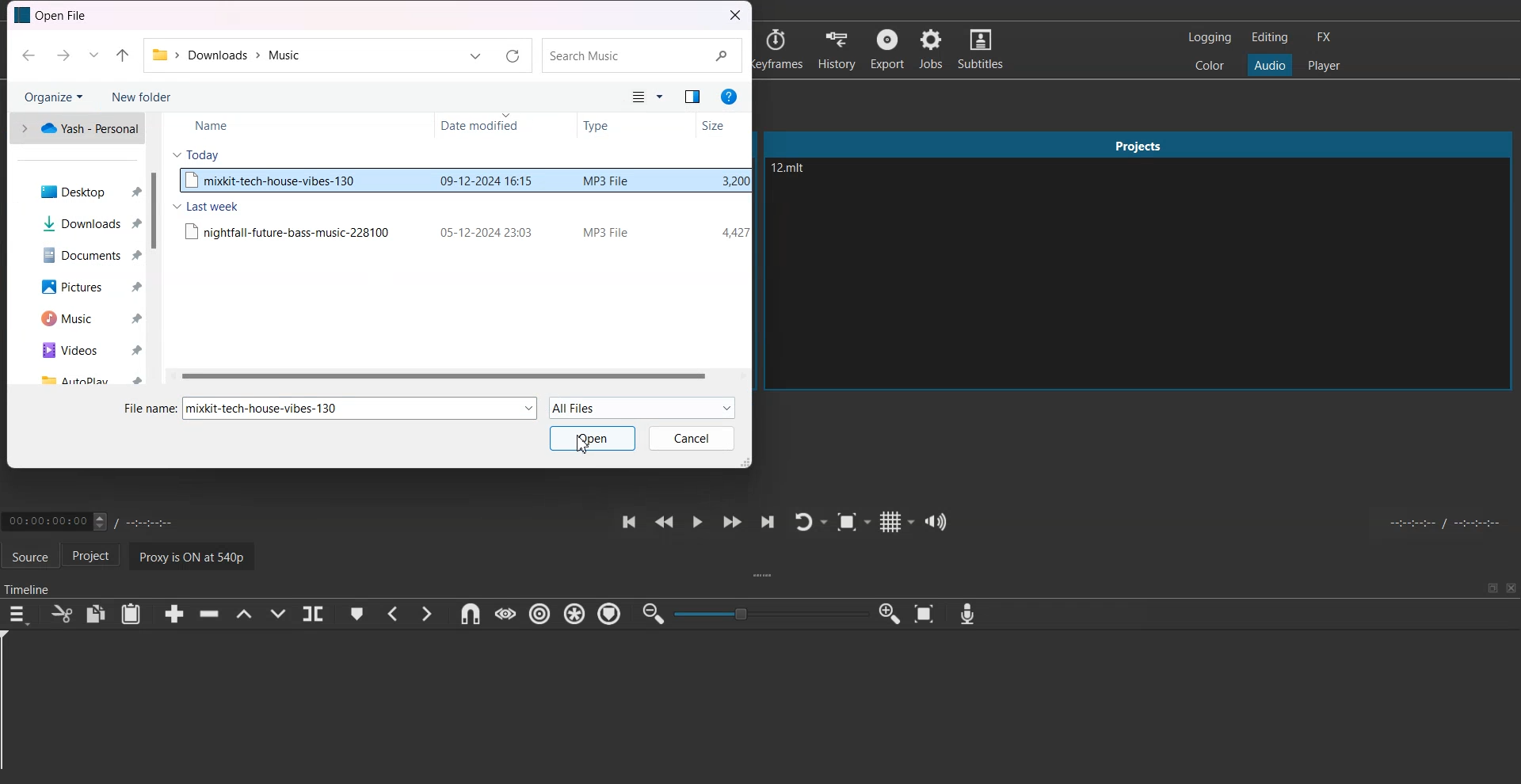 The image size is (1521, 784). Describe the element at coordinates (196, 555) in the screenshot. I see `Proxy is ON at 540p` at that location.